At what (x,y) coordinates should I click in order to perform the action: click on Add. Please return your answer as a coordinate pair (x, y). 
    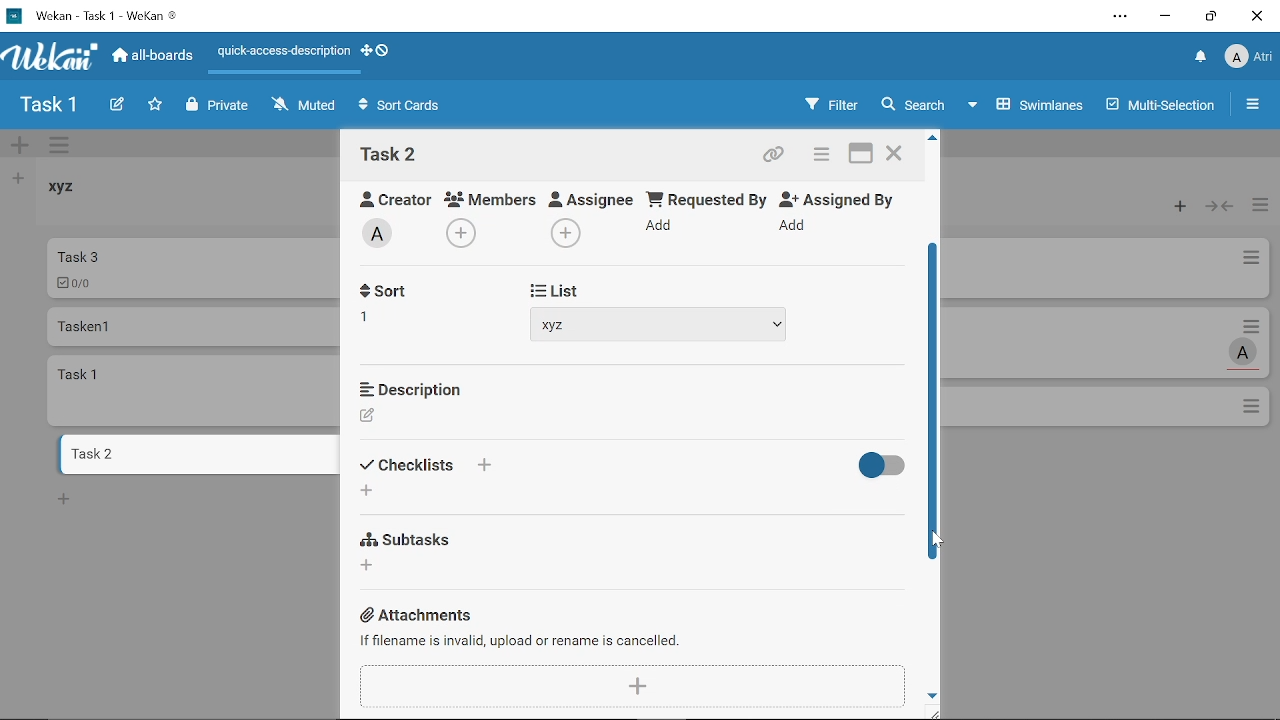
    Looking at the image, I should click on (464, 231).